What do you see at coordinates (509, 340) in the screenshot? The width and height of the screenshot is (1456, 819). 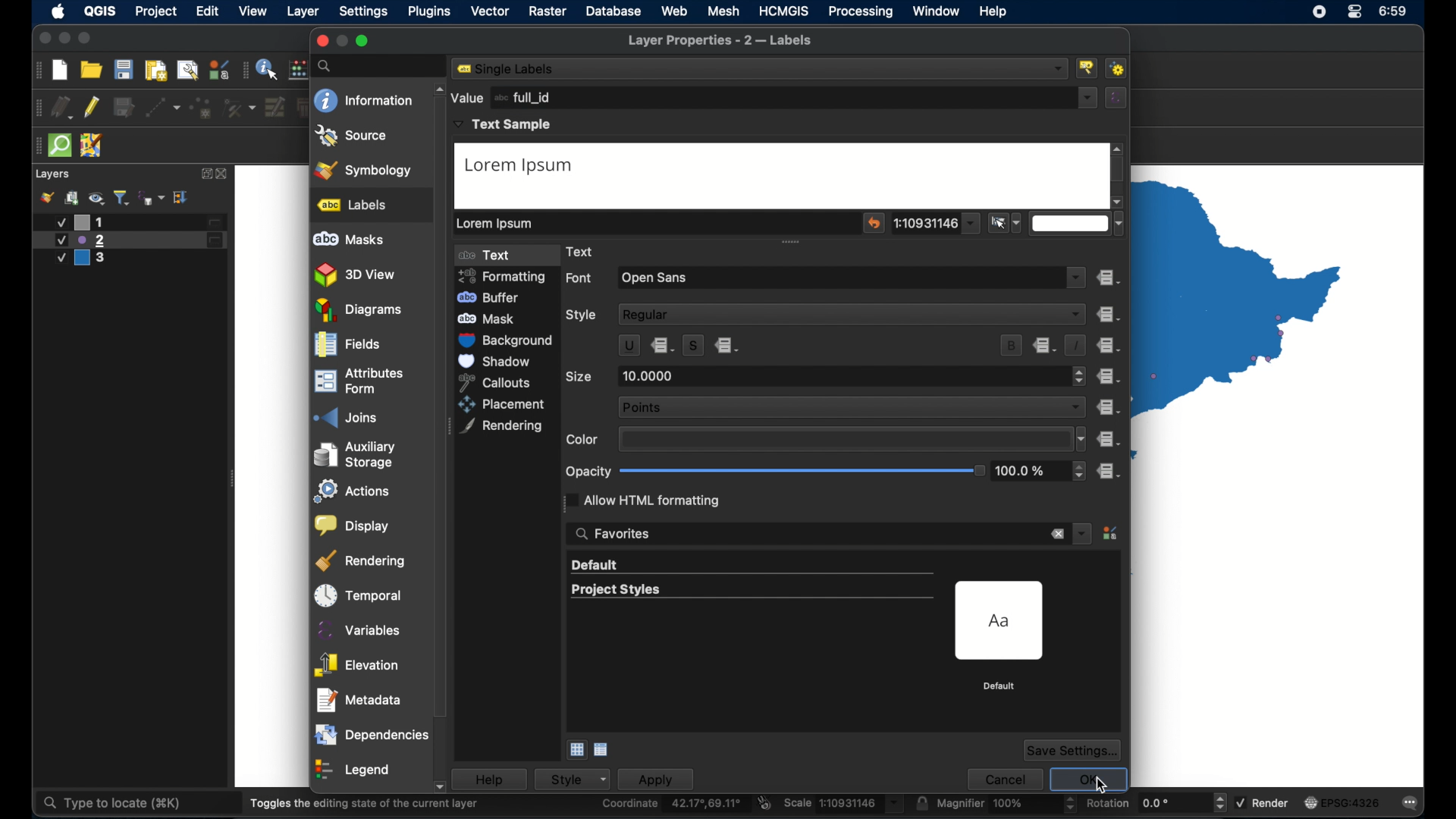 I see `background` at bounding box center [509, 340].